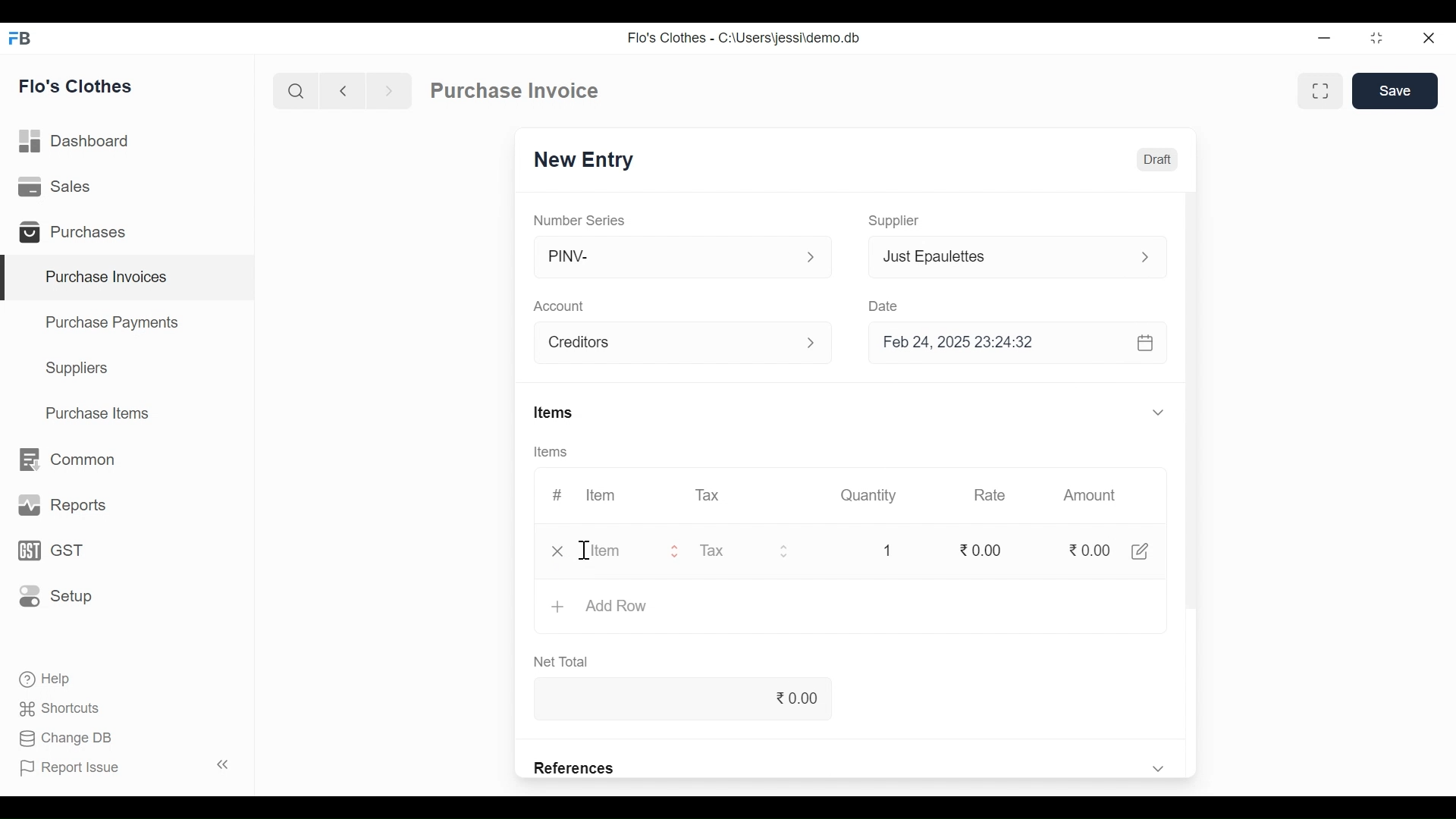 The width and height of the screenshot is (1456, 819). I want to click on Sales, so click(61, 188).